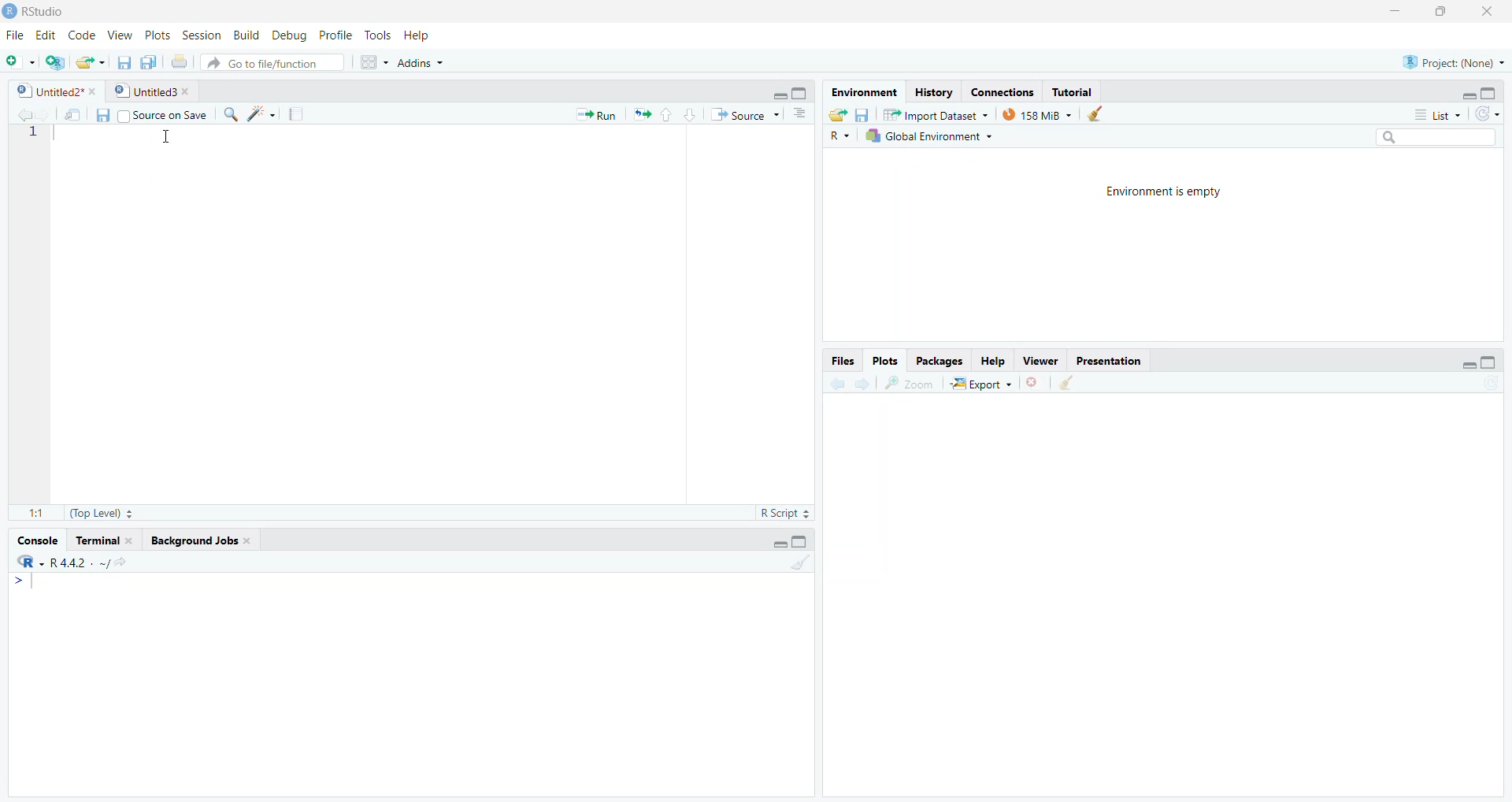 The image size is (1512, 802). What do you see at coordinates (337, 35) in the screenshot?
I see `Profile` at bounding box center [337, 35].